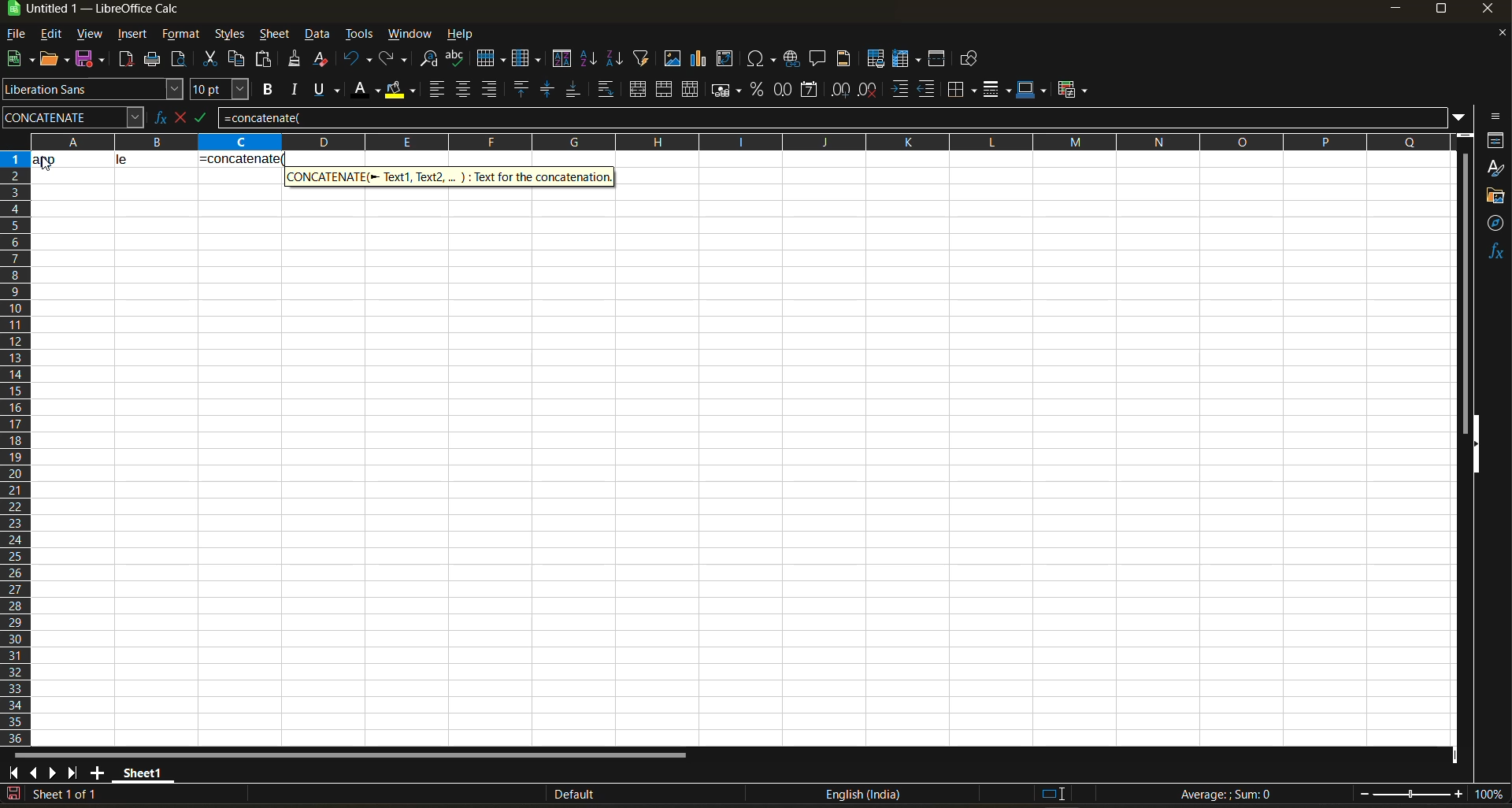  Describe the element at coordinates (265, 61) in the screenshot. I see `paste` at that location.